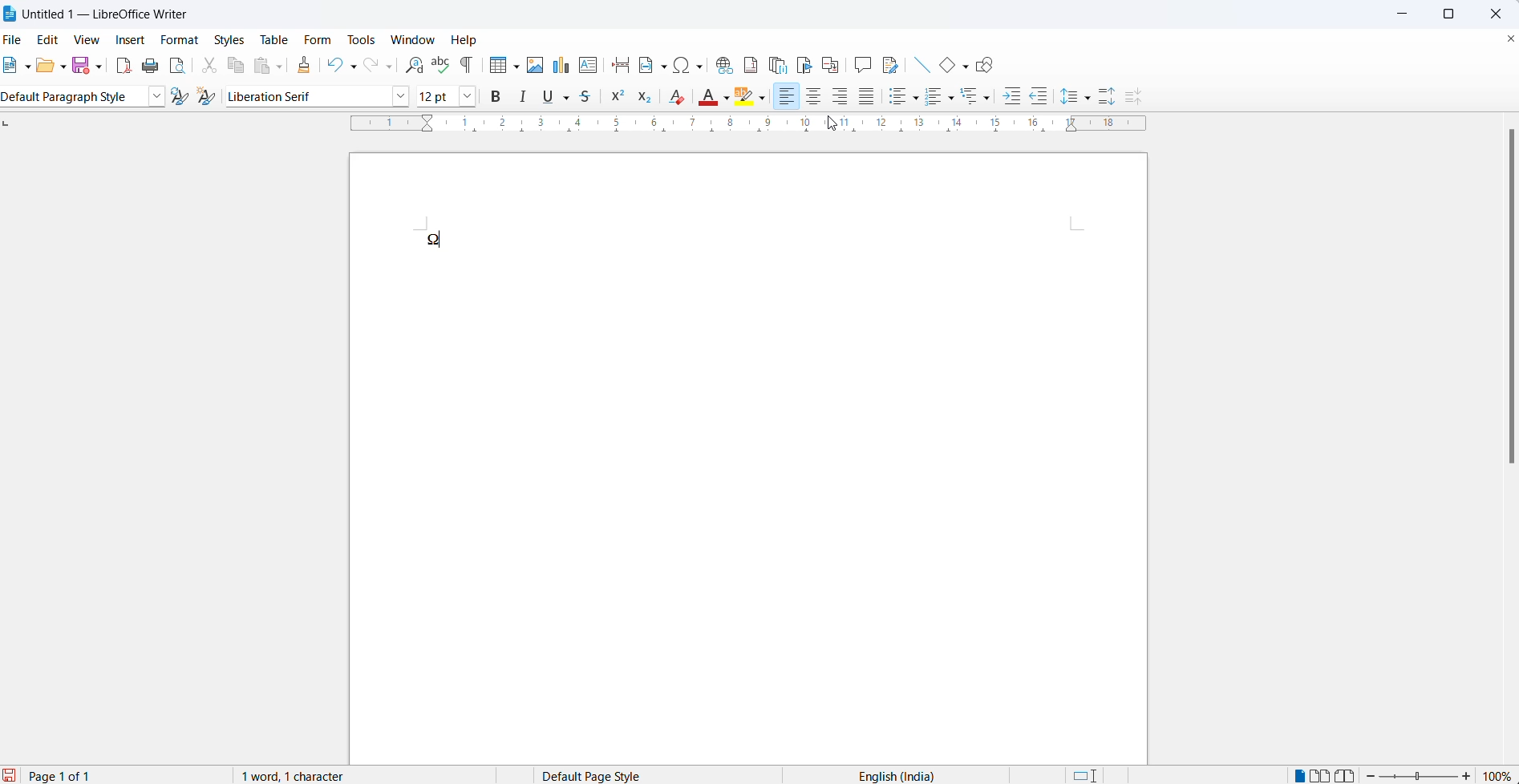 The height and width of the screenshot is (784, 1519). Describe the element at coordinates (468, 96) in the screenshot. I see `font size options` at that location.